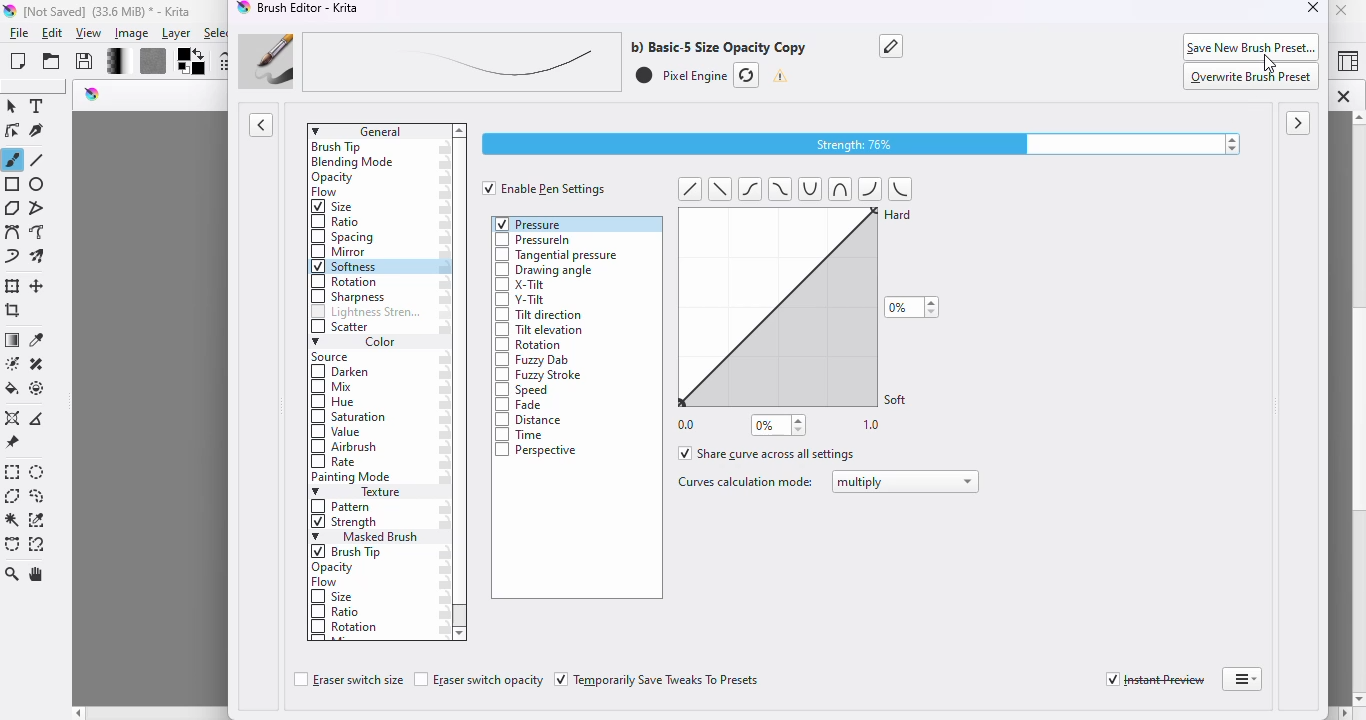  What do you see at coordinates (345, 267) in the screenshot?
I see `softness` at bounding box center [345, 267].